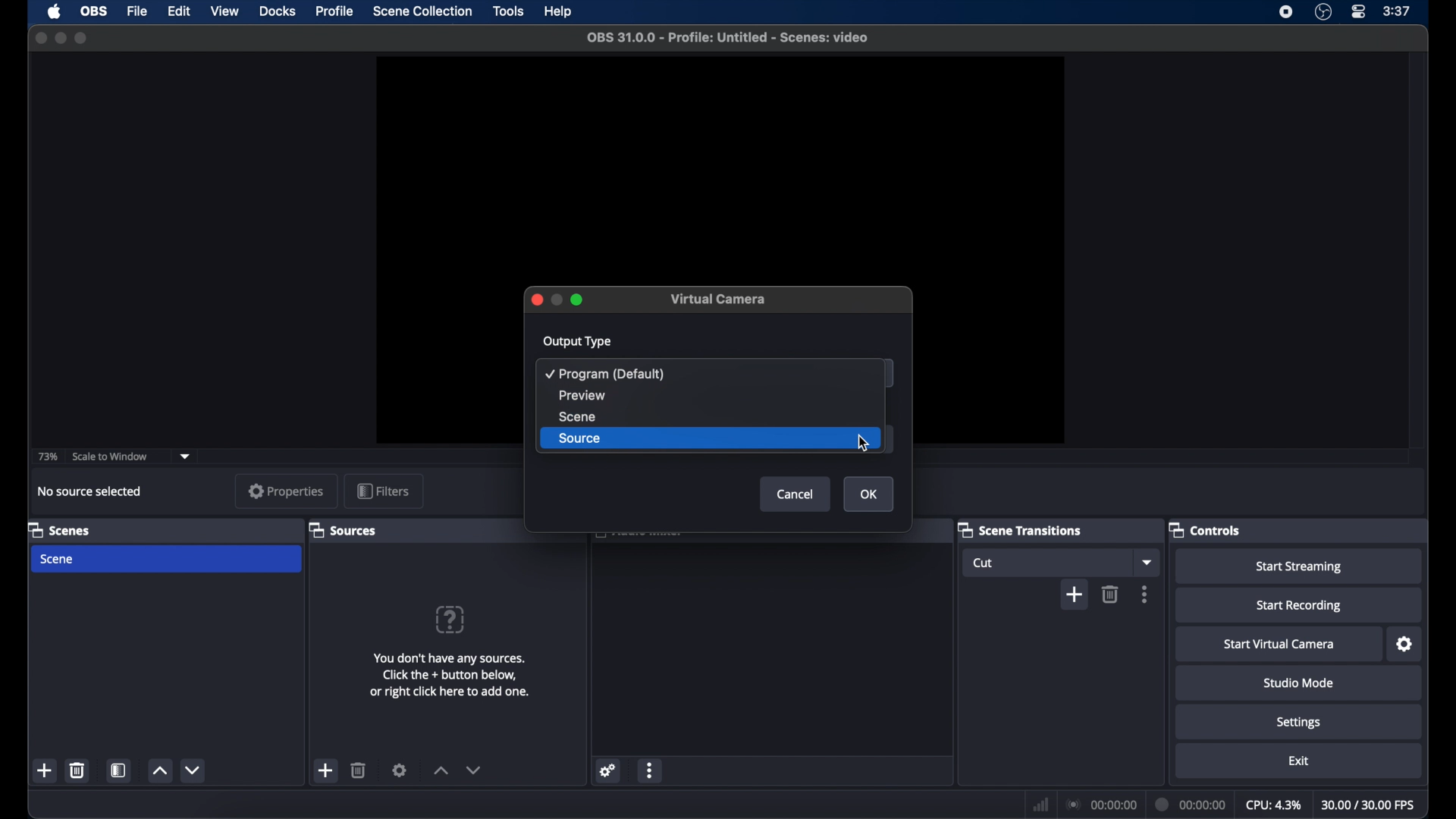 The height and width of the screenshot is (819, 1456). What do you see at coordinates (1192, 804) in the screenshot?
I see `duration` at bounding box center [1192, 804].